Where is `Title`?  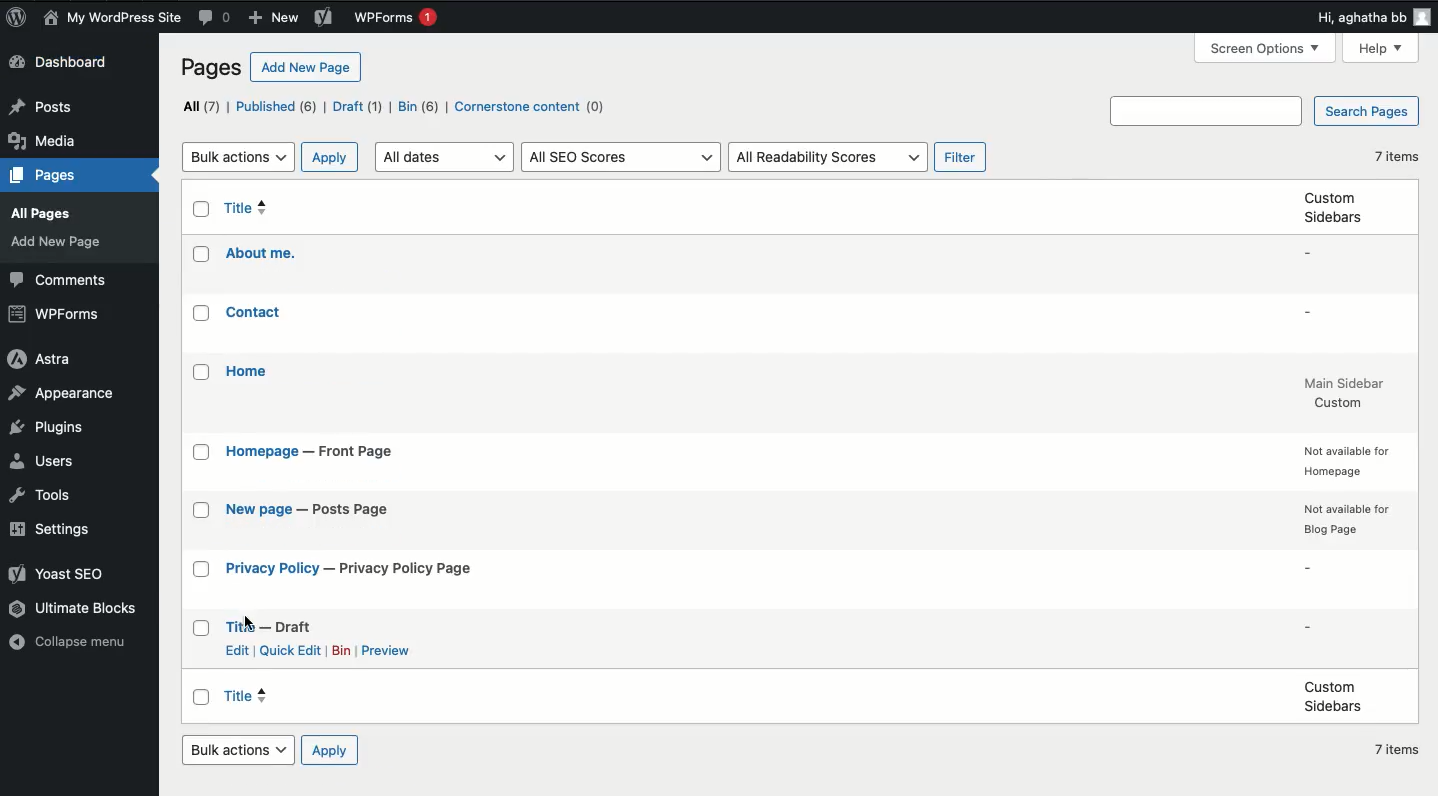 Title is located at coordinates (309, 451).